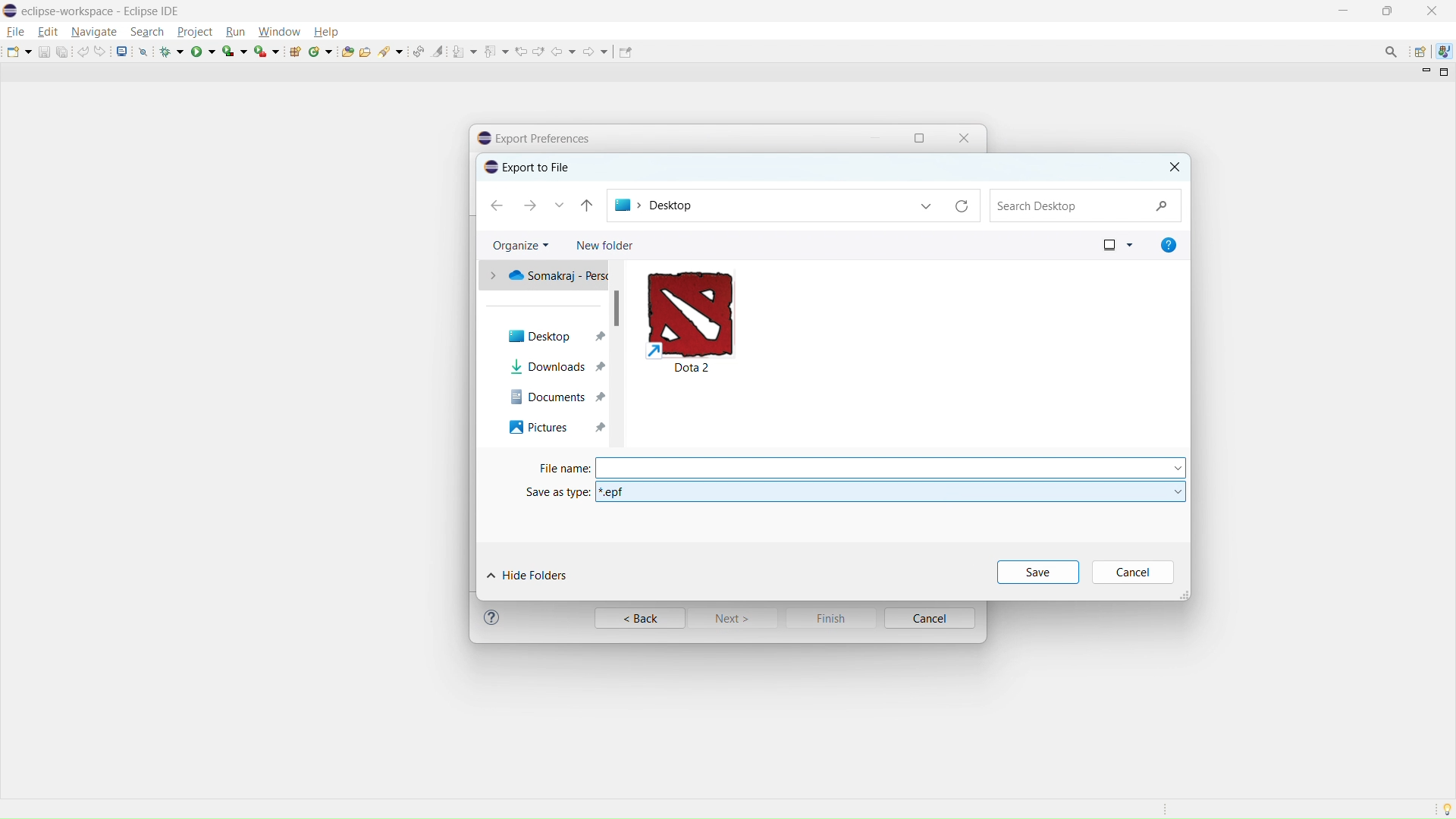 This screenshot has width=1456, height=819. I want to click on Pictures, so click(550, 428).